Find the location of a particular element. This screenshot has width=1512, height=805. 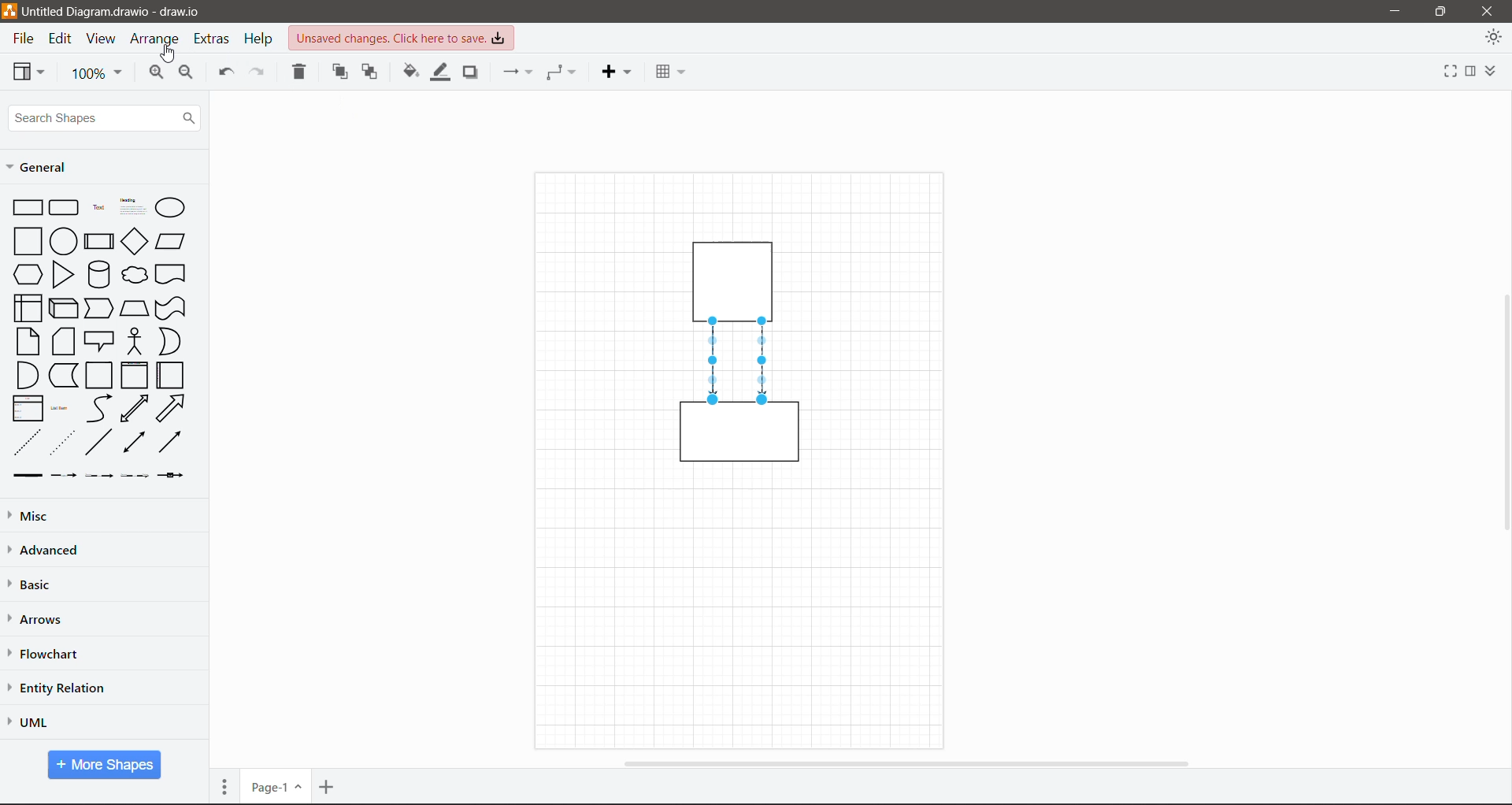

Triangle is located at coordinates (63, 274).